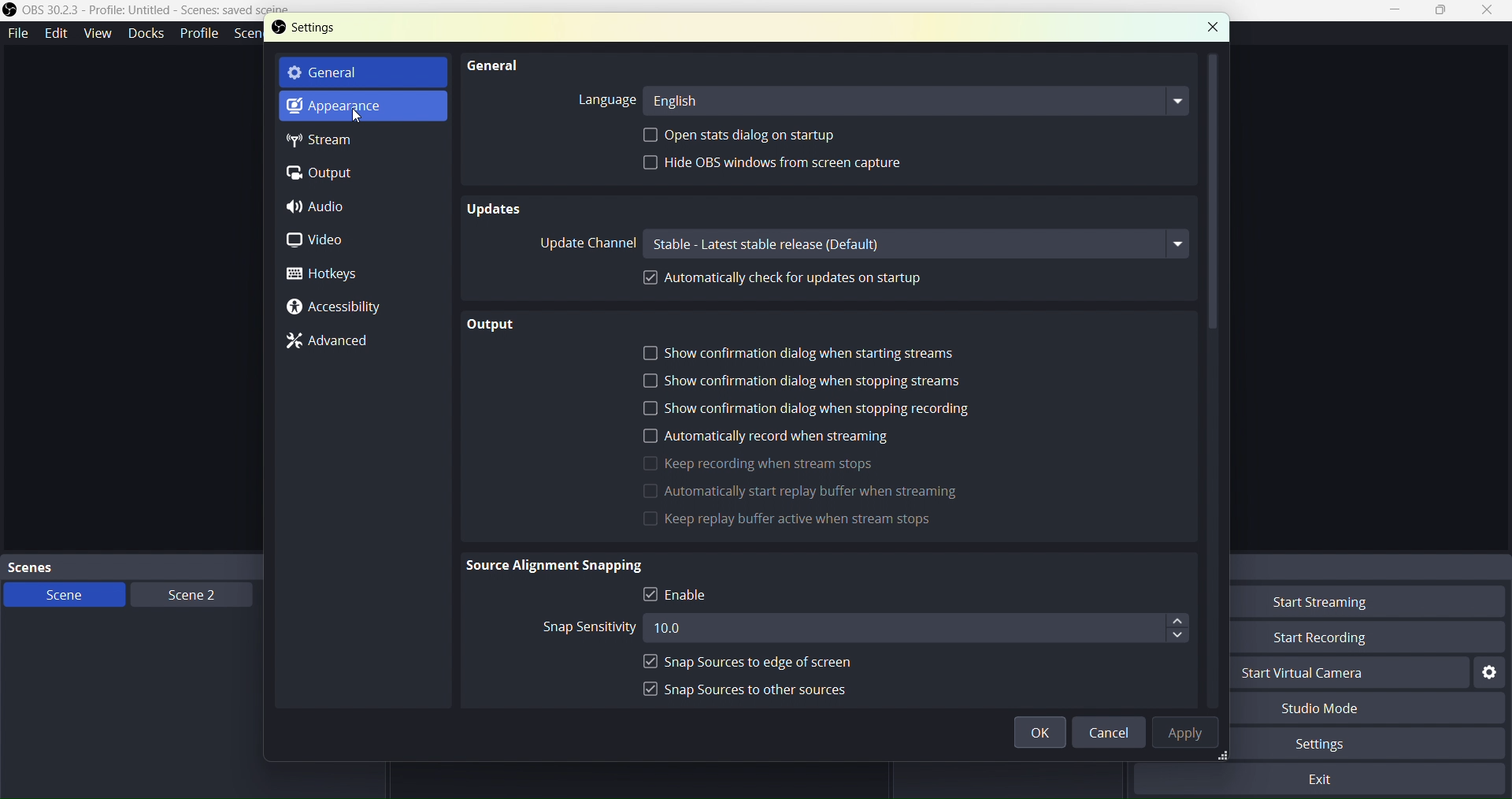 The height and width of the screenshot is (799, 1512). What do you see at coordinates (1488, 11) in the screenshot?
I see `Close` at bounding box center [1488, 11].